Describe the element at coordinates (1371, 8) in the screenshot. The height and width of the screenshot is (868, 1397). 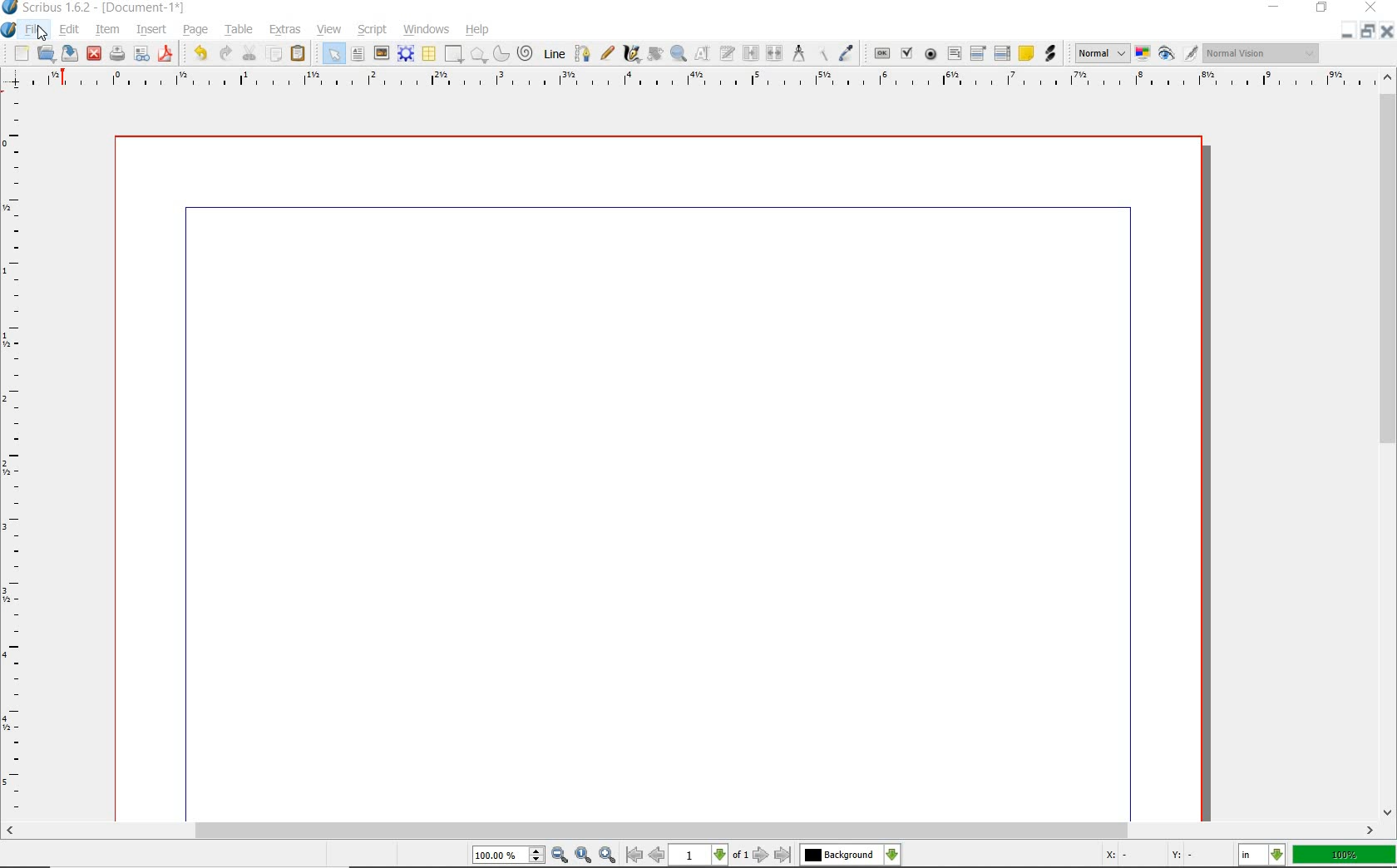
I see `close` at that location.